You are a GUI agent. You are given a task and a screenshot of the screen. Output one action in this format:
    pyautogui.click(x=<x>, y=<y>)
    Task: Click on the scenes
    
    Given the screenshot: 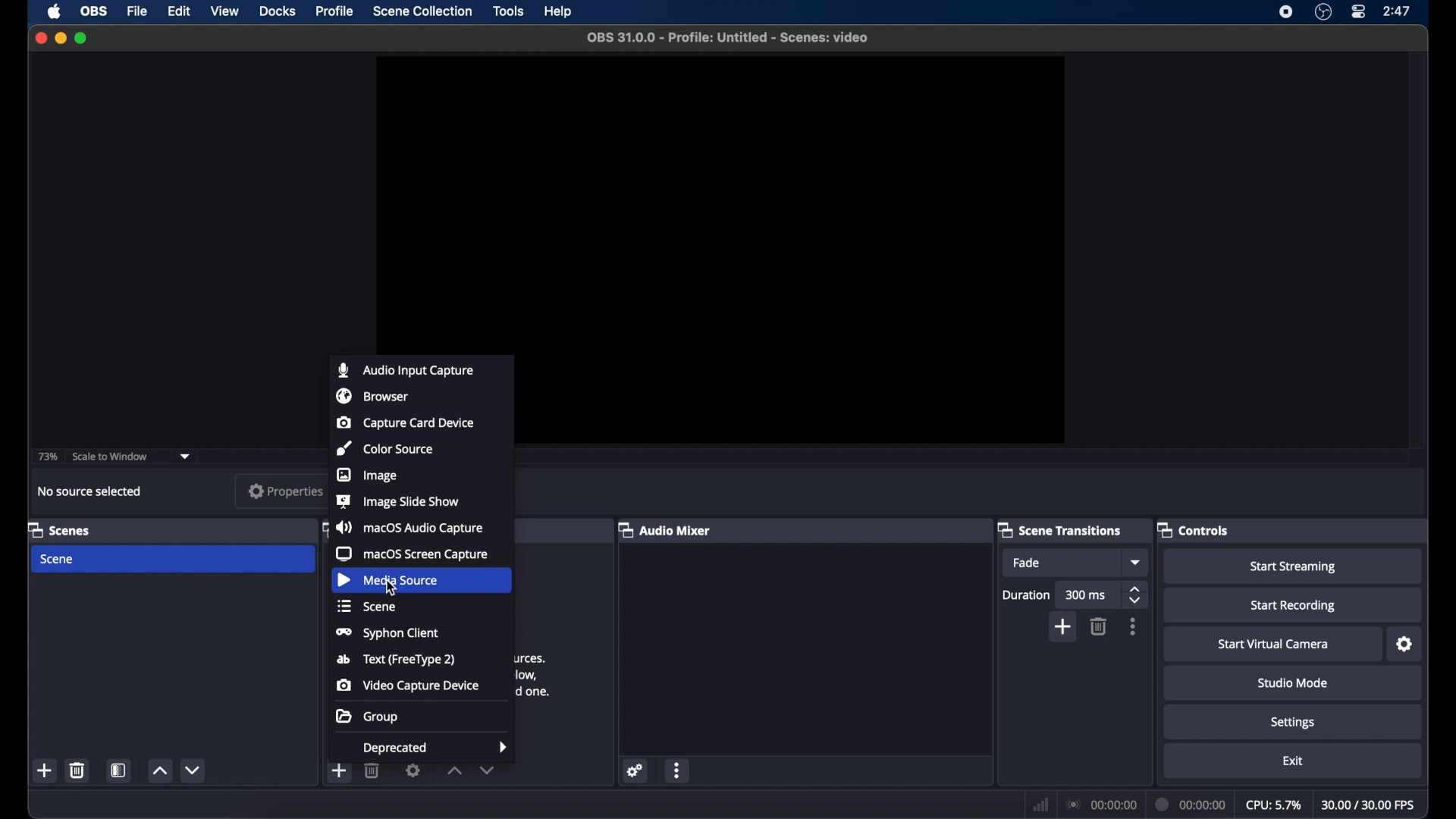 What is the action you would take?
    pyautogui.click(x=59, y=531)
    